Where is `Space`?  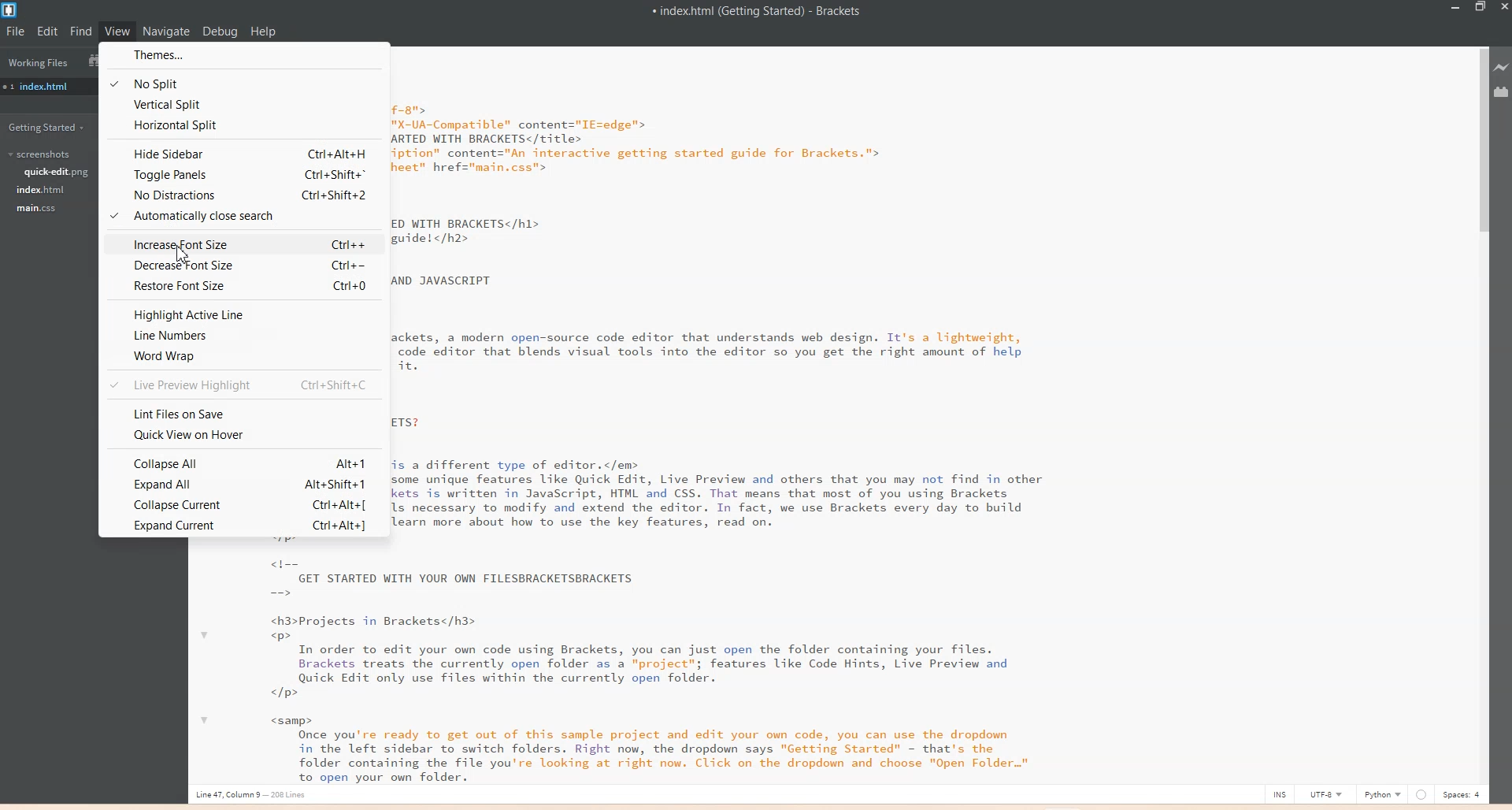
Space is located at coordinates (1462, 793).